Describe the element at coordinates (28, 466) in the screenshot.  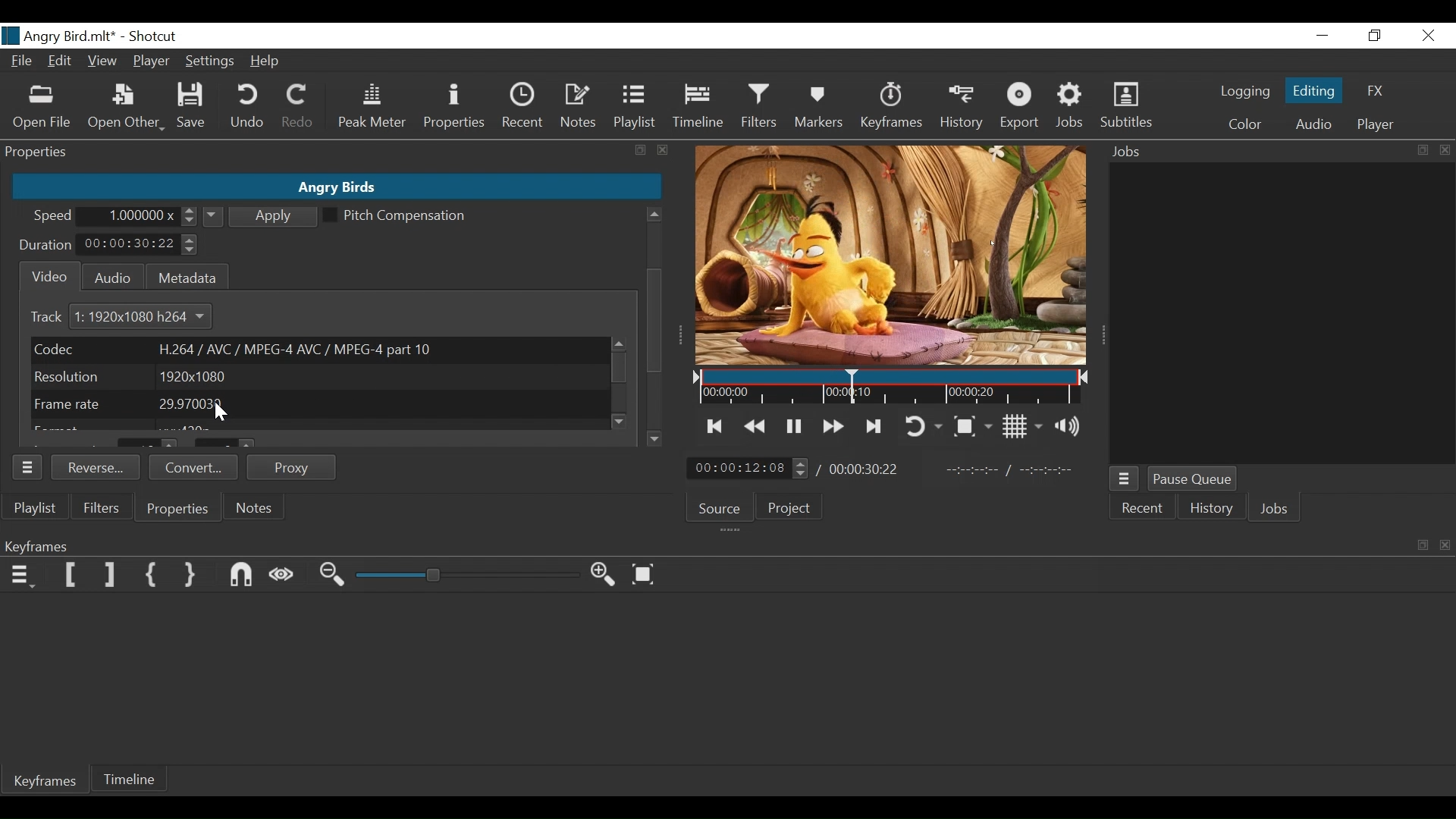
I see `Properties Panel` at that location.